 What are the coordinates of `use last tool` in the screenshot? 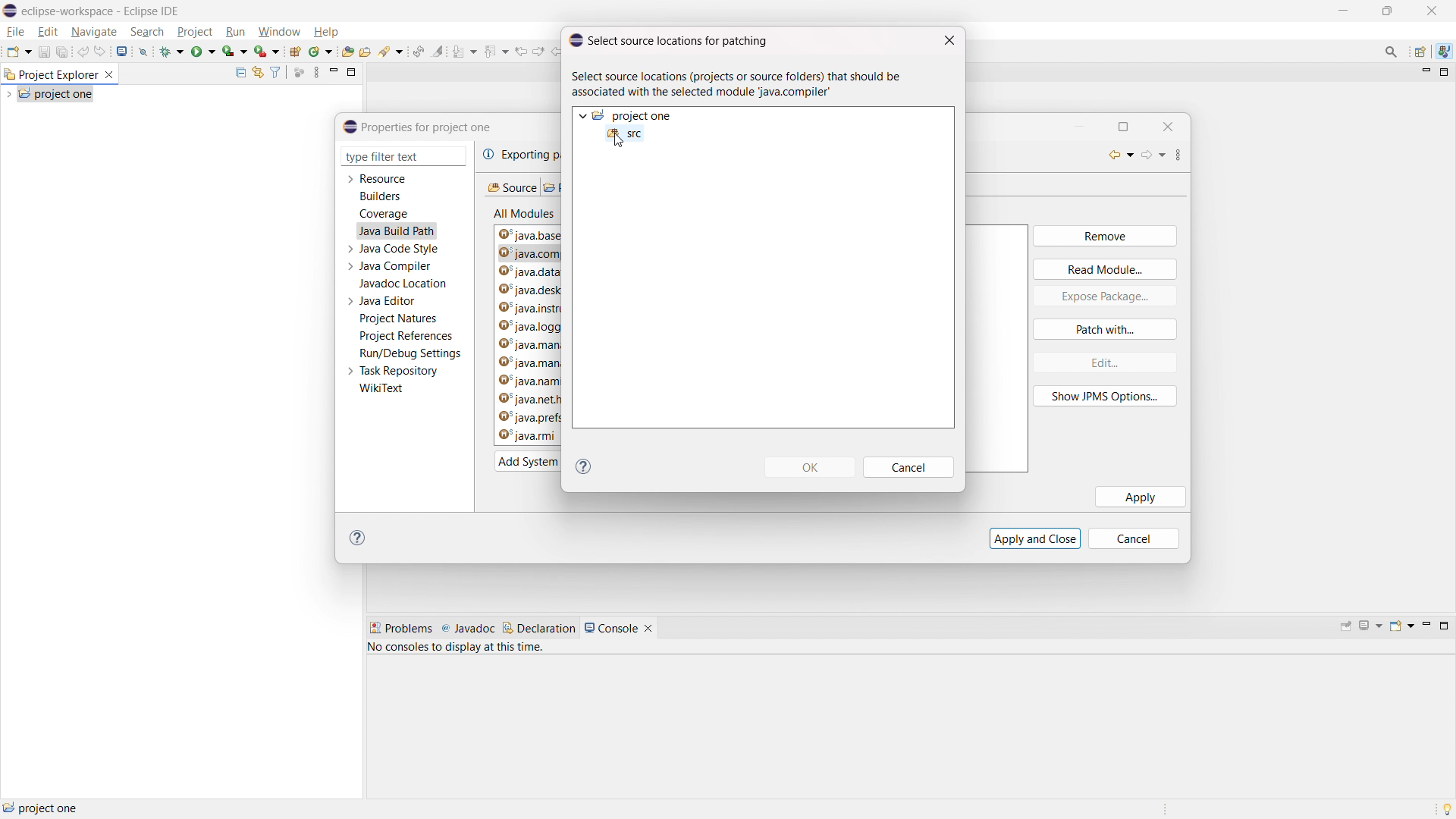 It's located at (266, 52).